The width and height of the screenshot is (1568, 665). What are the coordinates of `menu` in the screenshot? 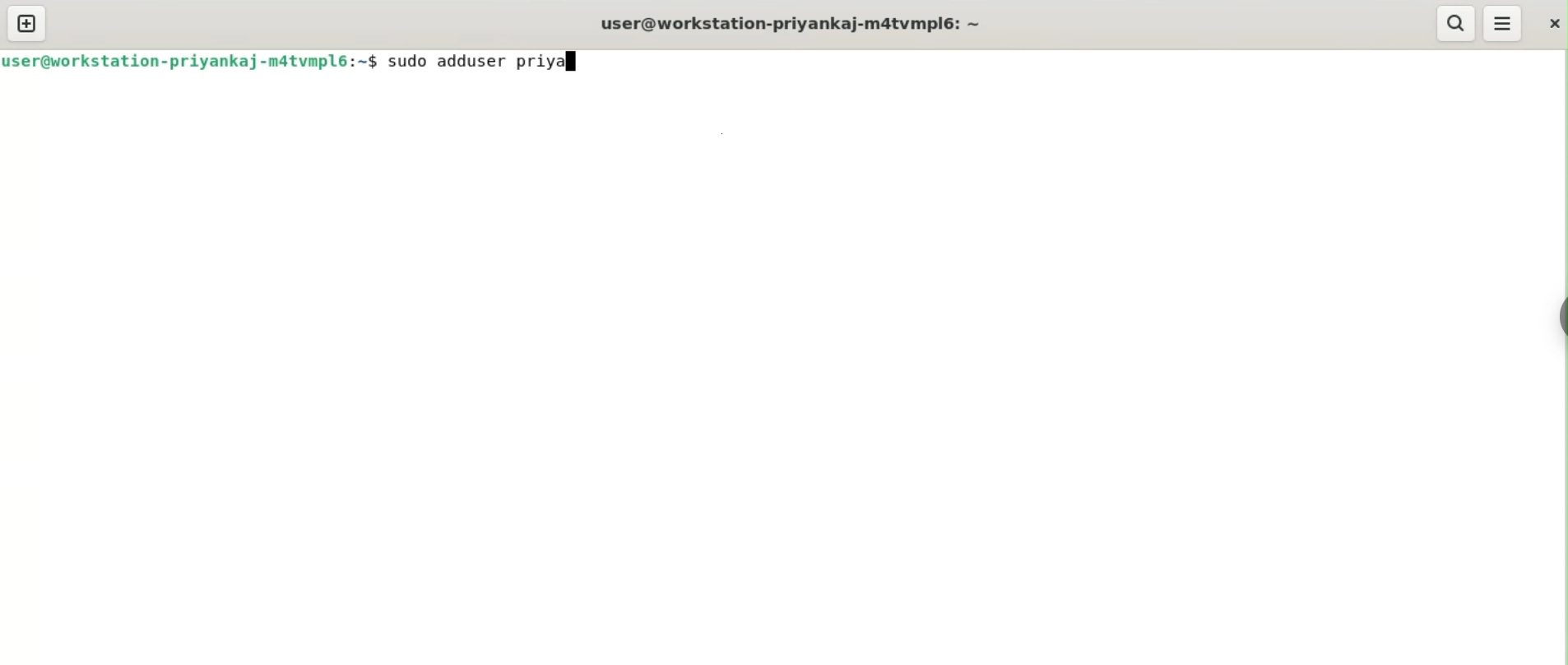 It's located at (1503, 24).